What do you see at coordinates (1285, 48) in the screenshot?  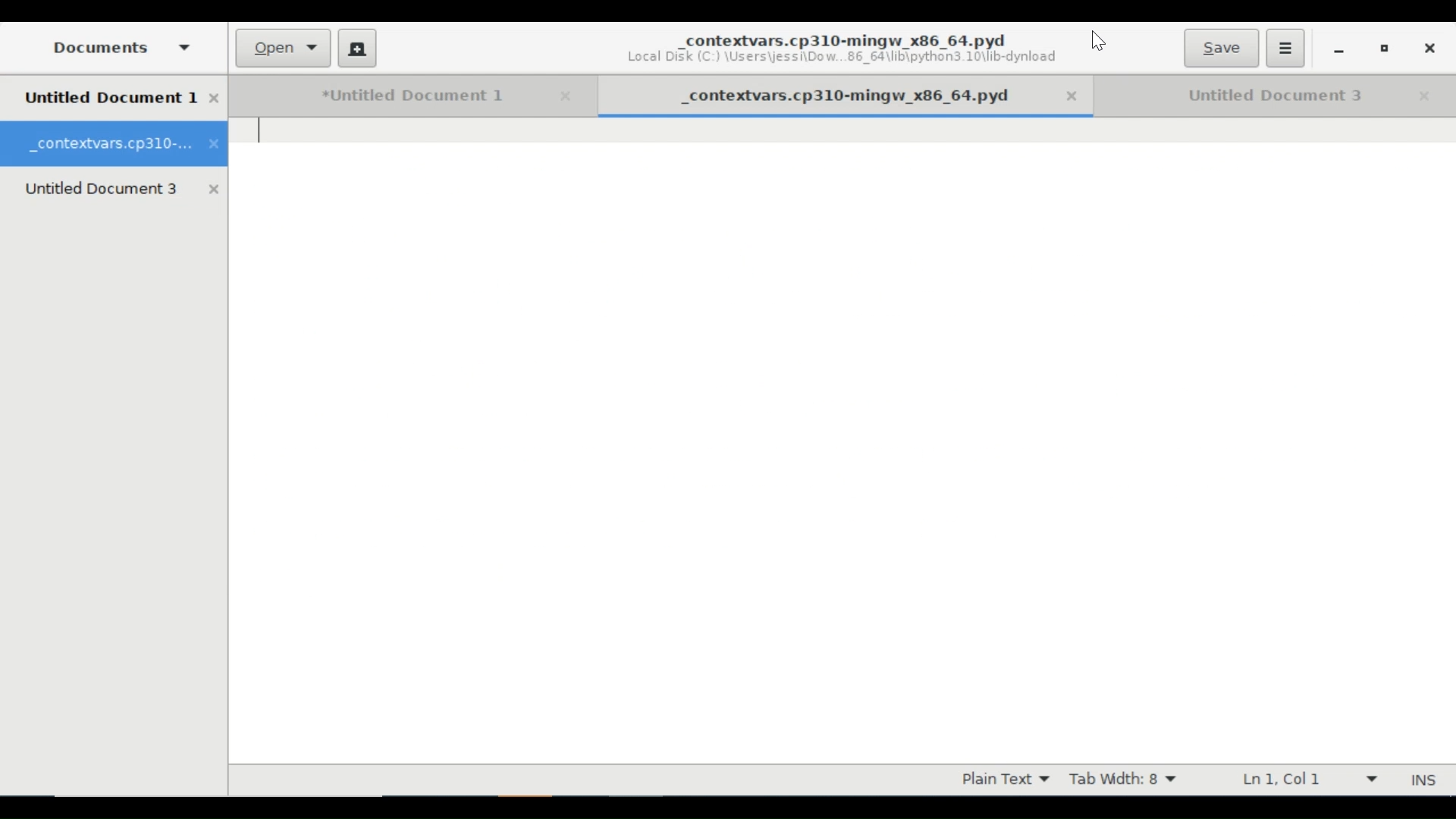 I see `Application menu` at bounding box center [1285, 48].